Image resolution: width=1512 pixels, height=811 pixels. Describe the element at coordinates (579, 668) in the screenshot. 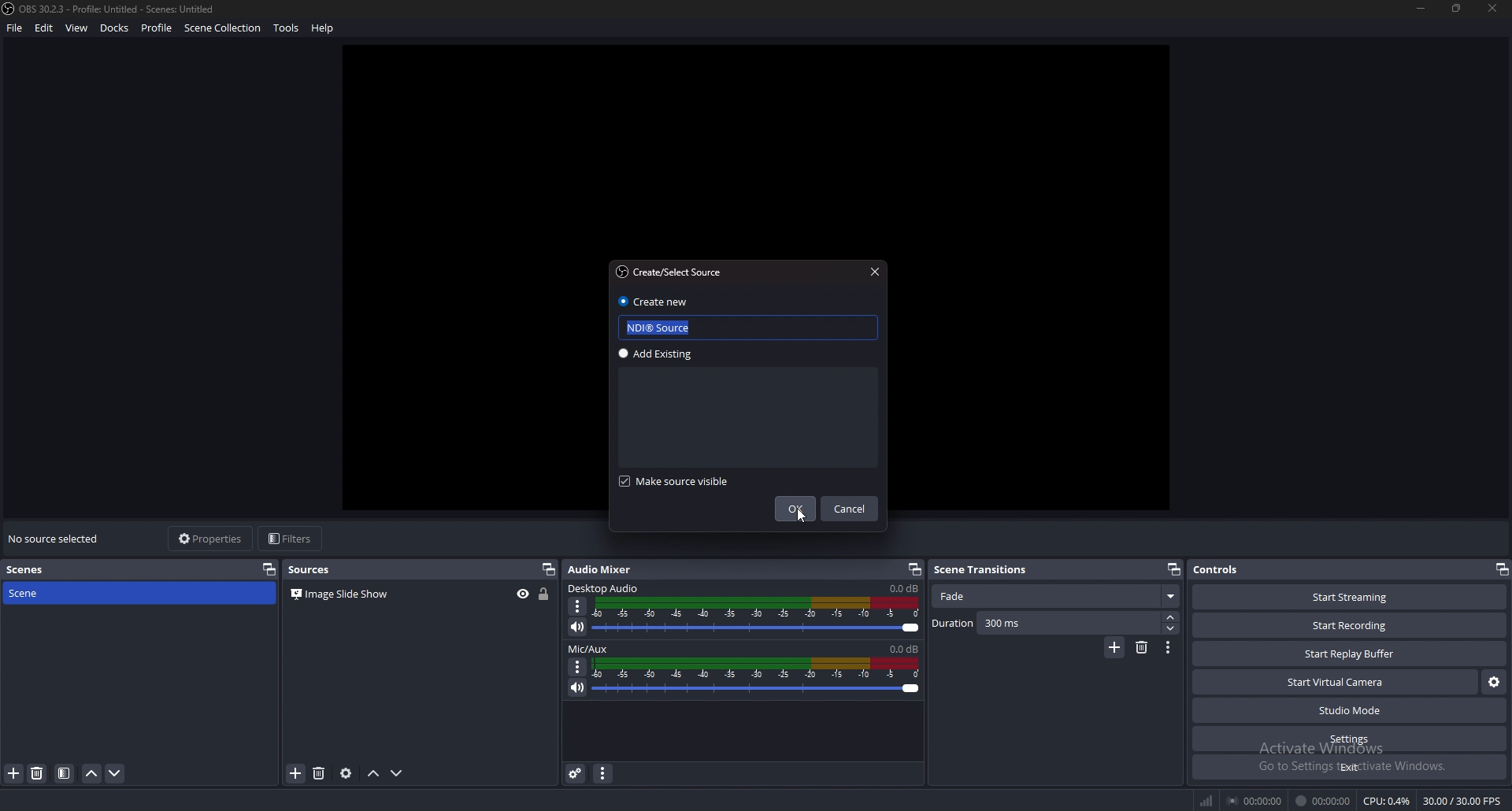

I see `options` at that location.